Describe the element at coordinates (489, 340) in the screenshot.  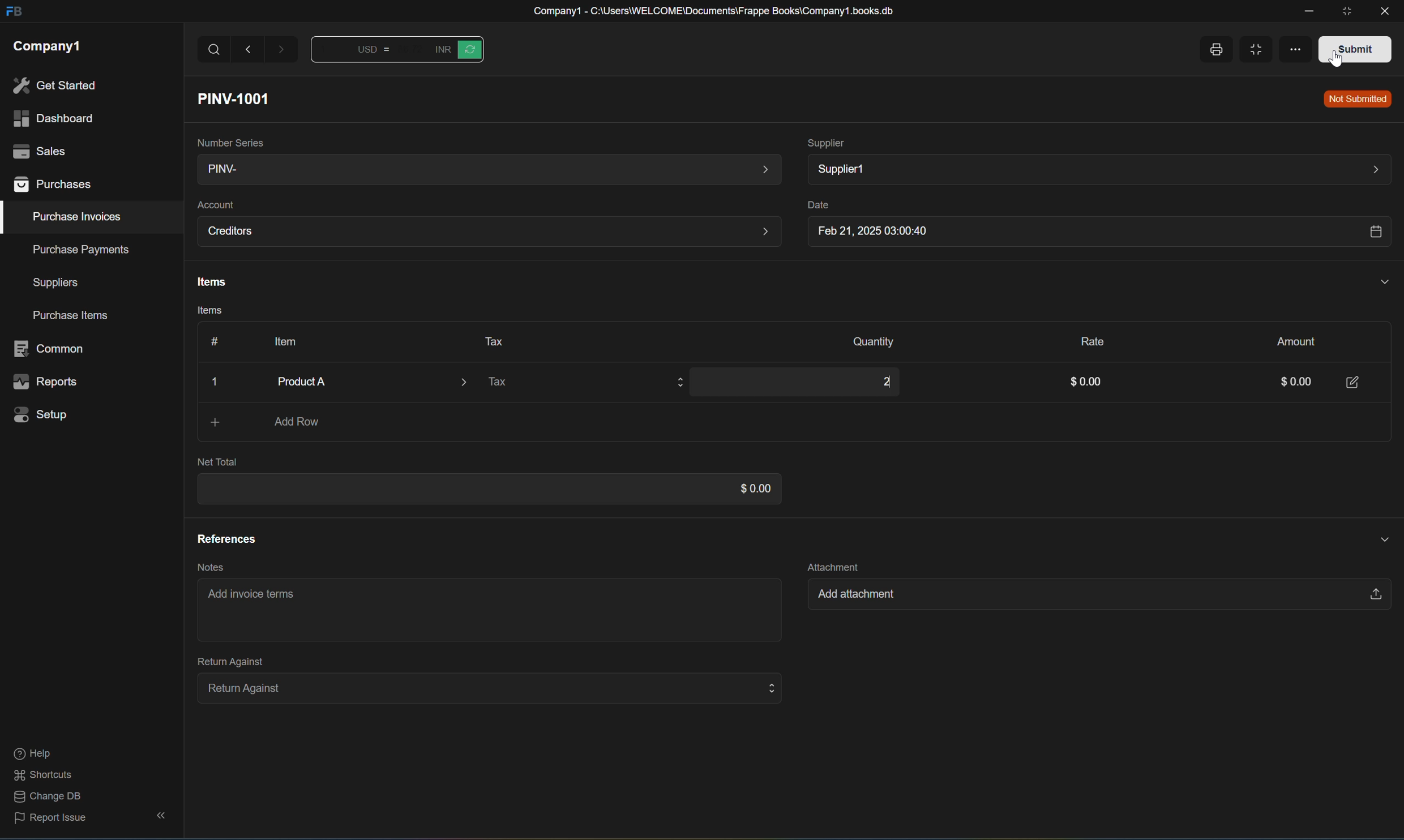
I see `Tax` at that location.